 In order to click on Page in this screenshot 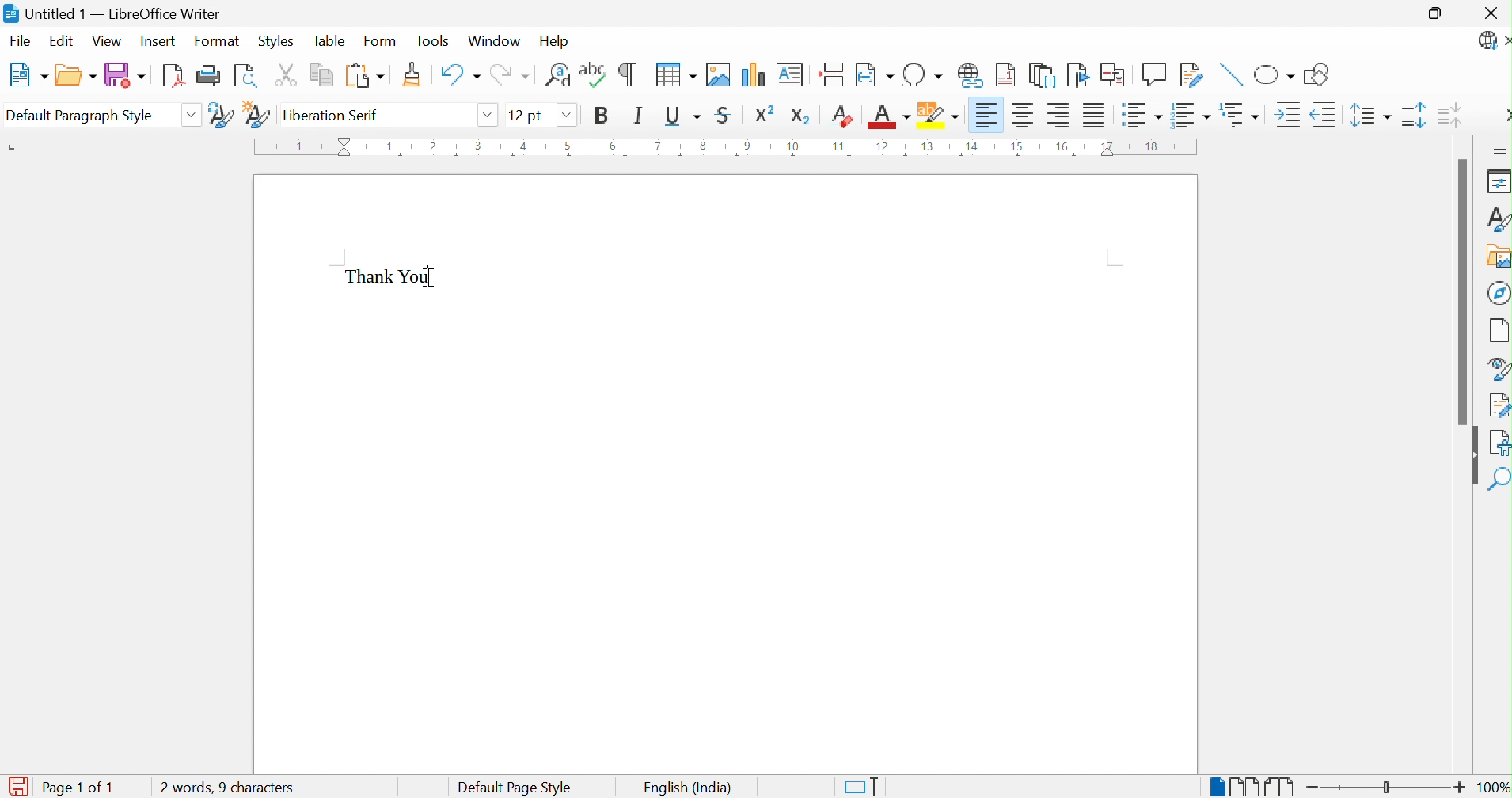, I will do `click(1498, 330)`.